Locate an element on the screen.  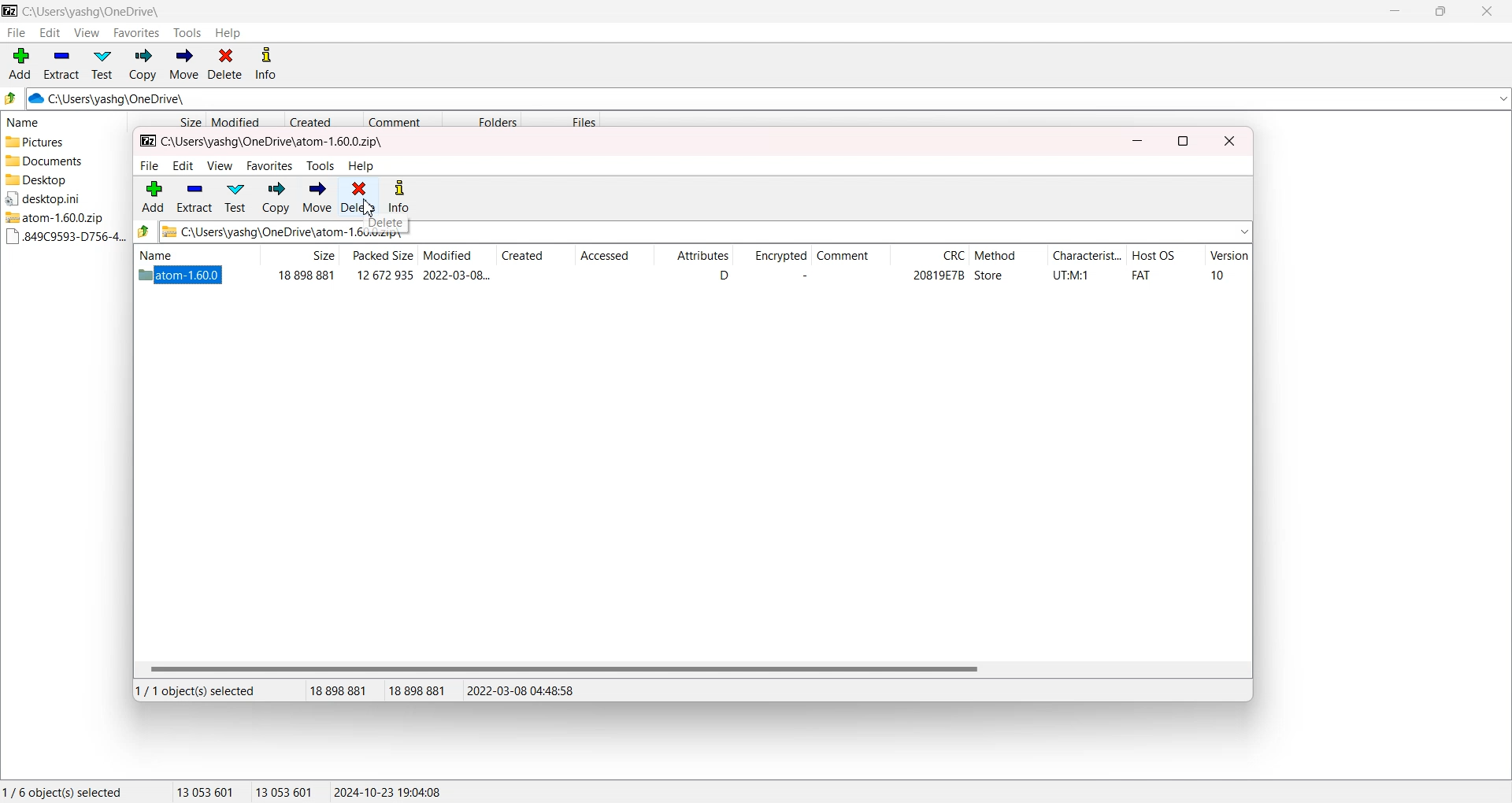
Encrypted is located at coordinates (771, 257).